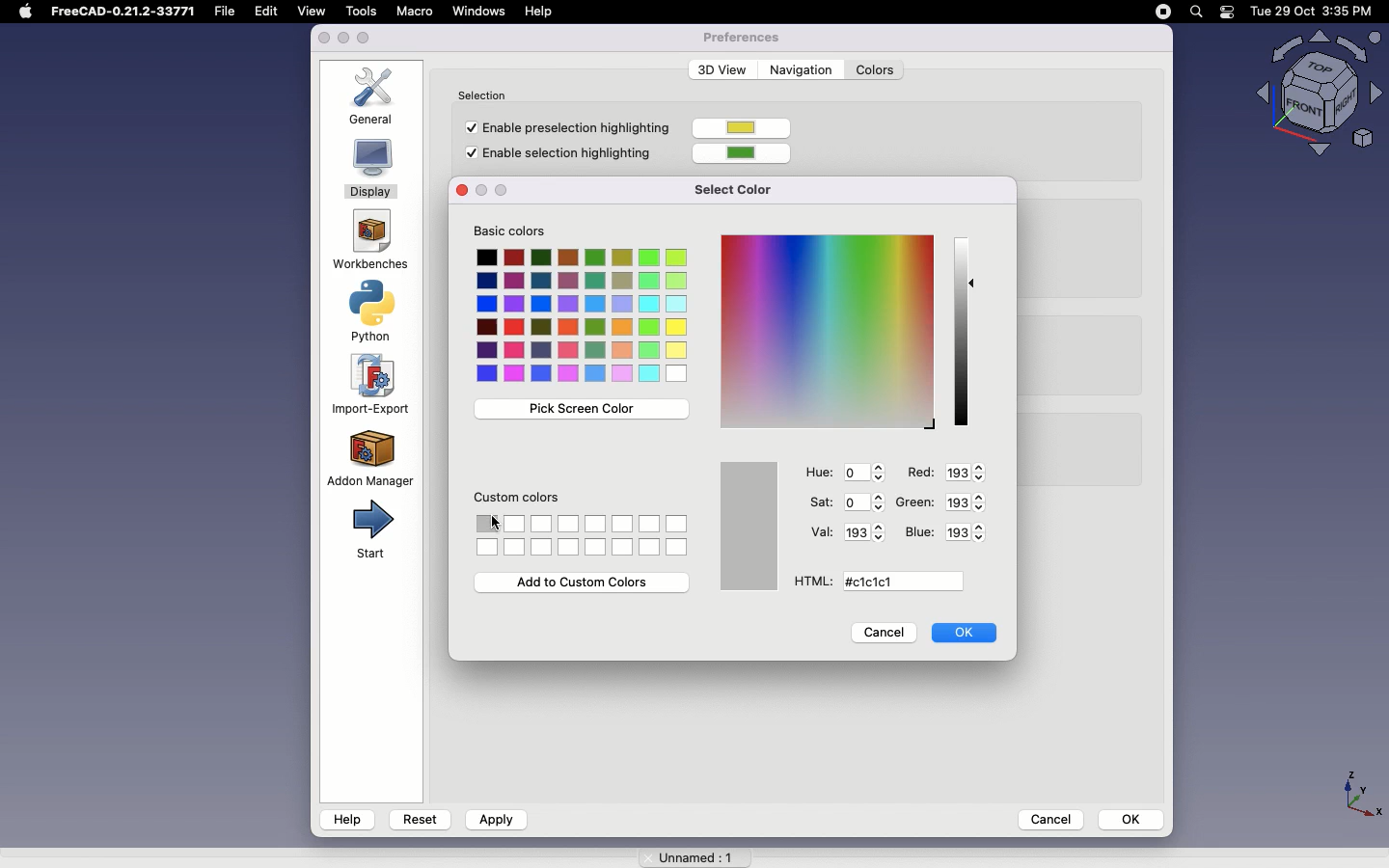  What do you see at coordinates (719, 69) in the screenshot?
I see `3D View` at bounding box center [719, 69].